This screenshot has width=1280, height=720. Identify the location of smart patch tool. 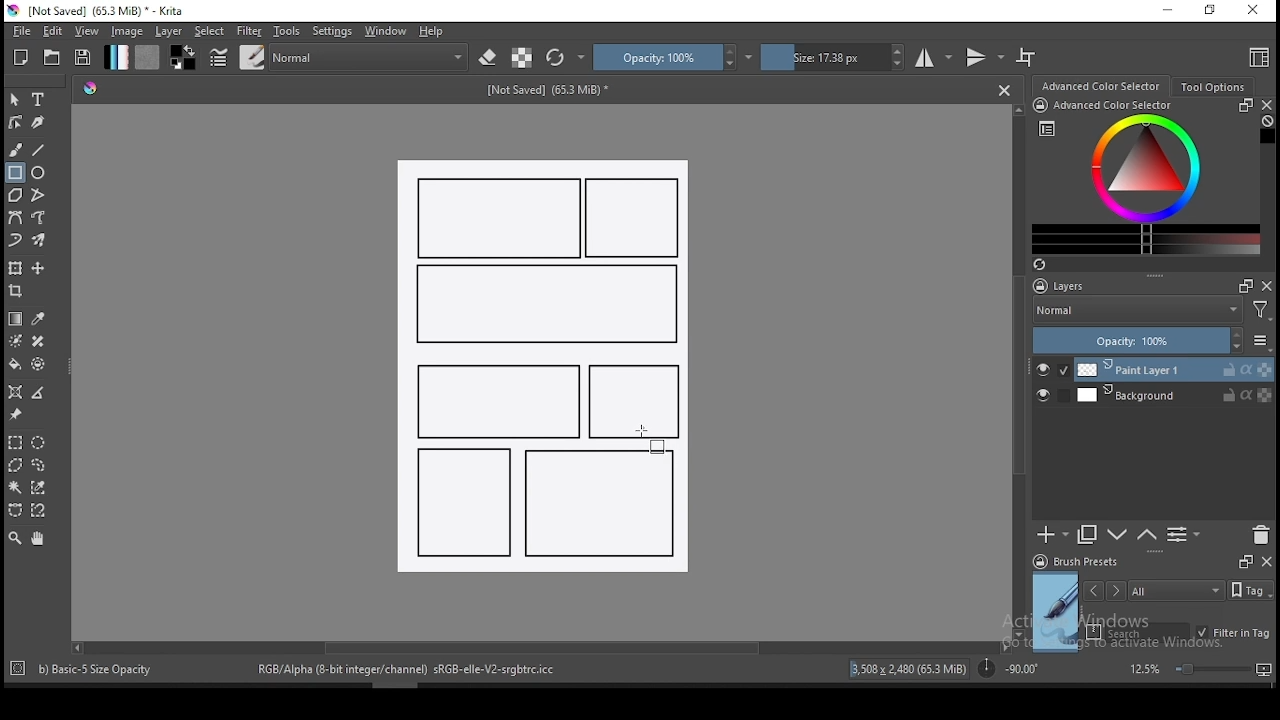
(38, 341).